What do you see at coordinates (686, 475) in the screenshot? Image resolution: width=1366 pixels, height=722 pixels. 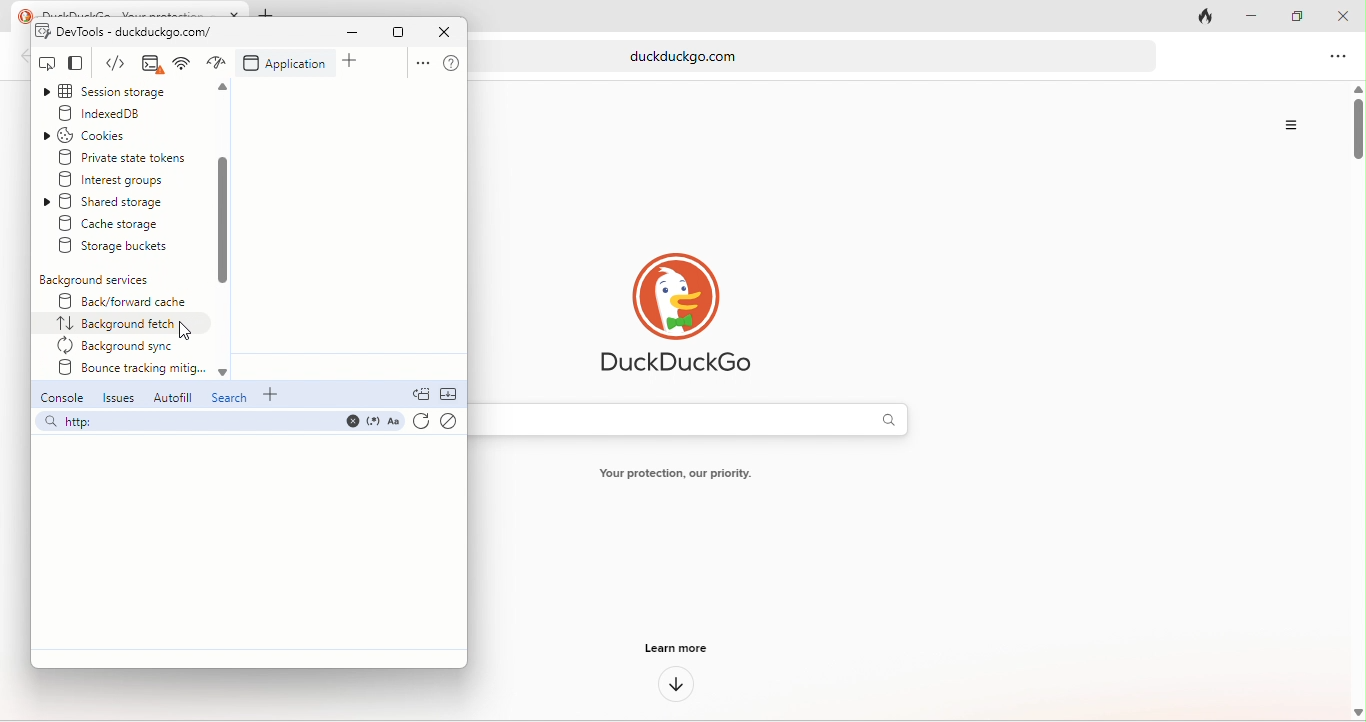 I see `text` at bounding box center [686, 475].